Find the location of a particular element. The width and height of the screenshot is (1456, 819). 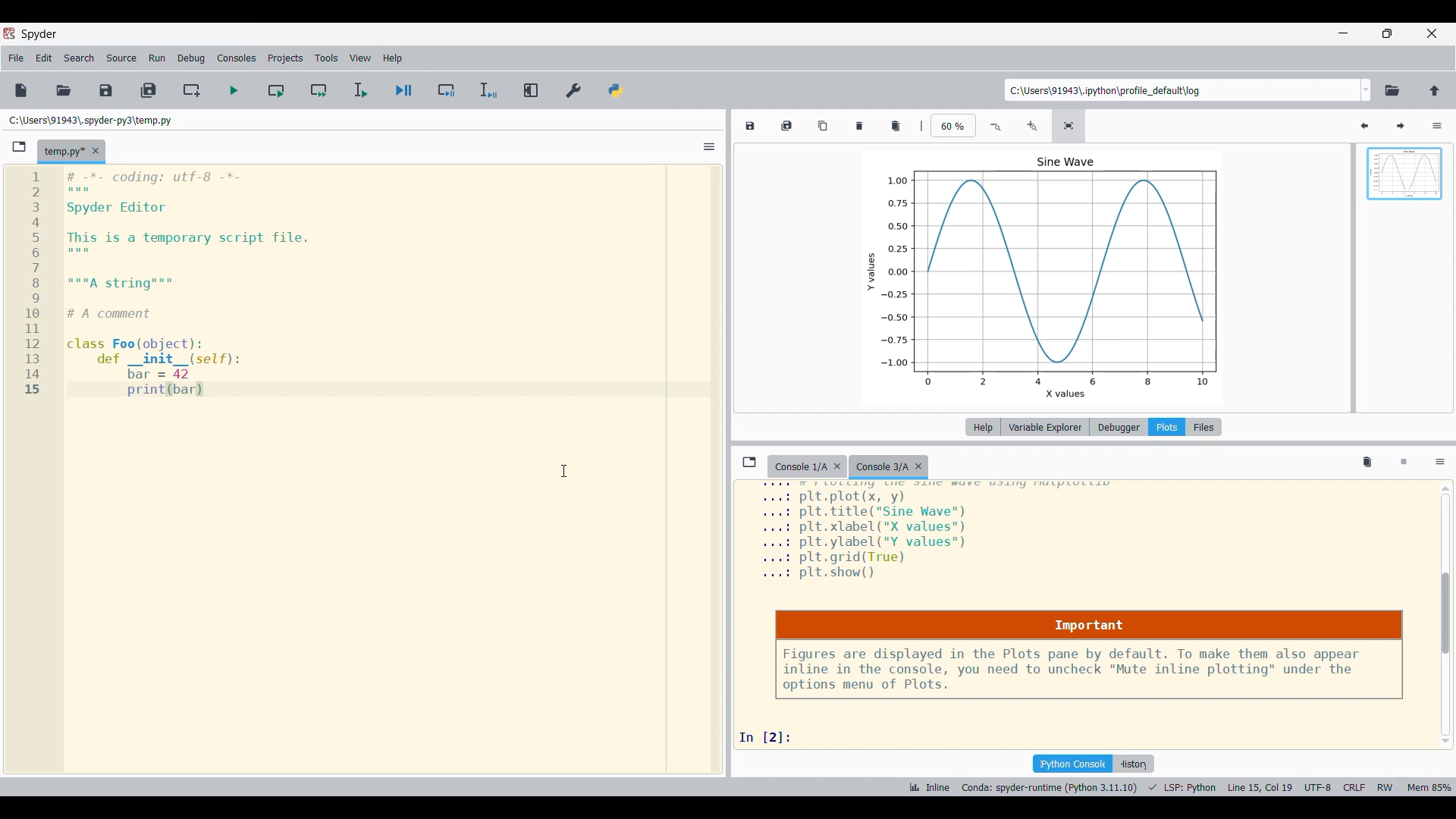

Save all files is located at coordinates (149, 90).